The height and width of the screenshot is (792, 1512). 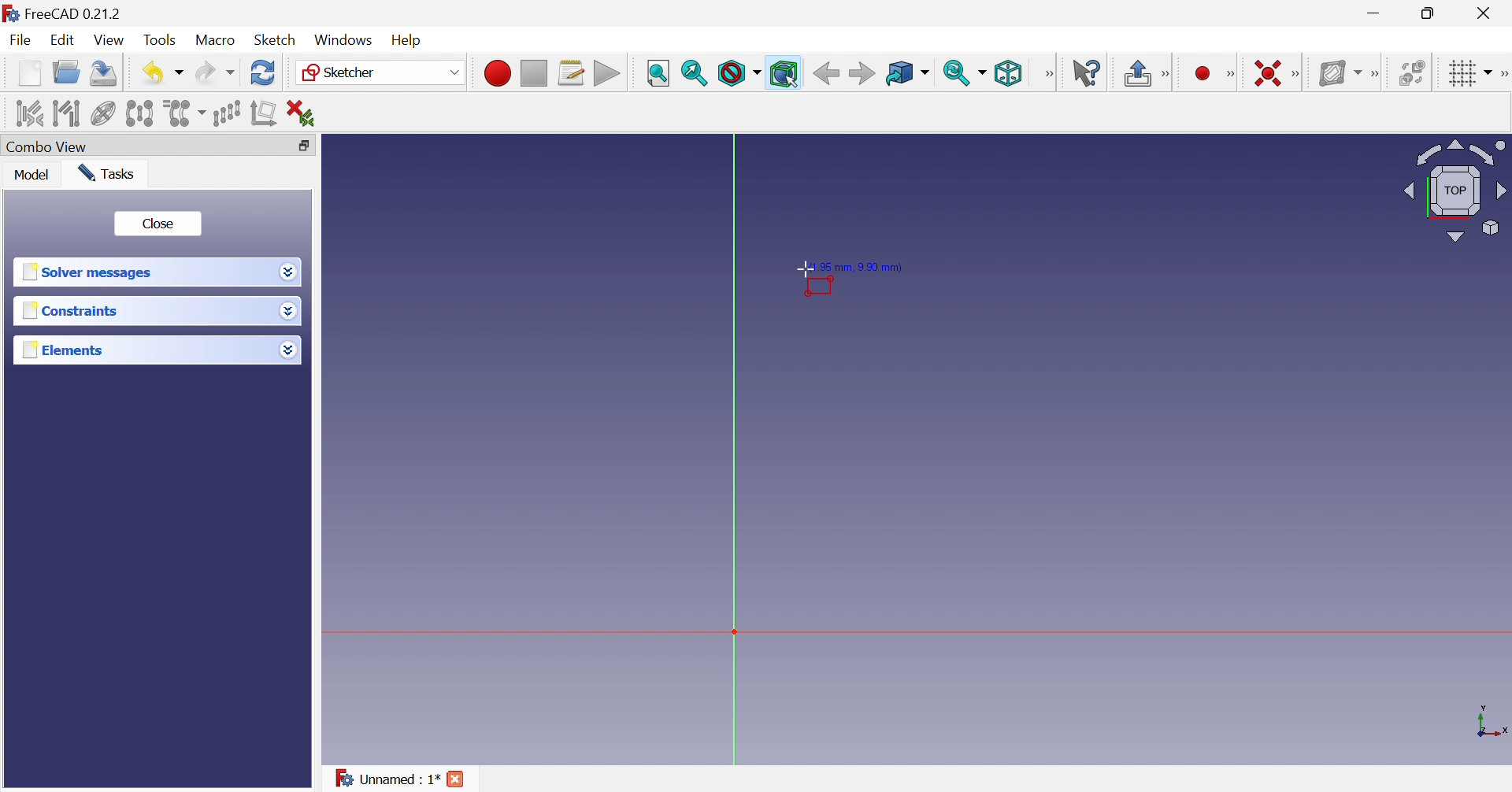 What do you see at coordinates (1379, 12) in the screenshot?
I see `Minimize` at bounding box center [1379, 12].